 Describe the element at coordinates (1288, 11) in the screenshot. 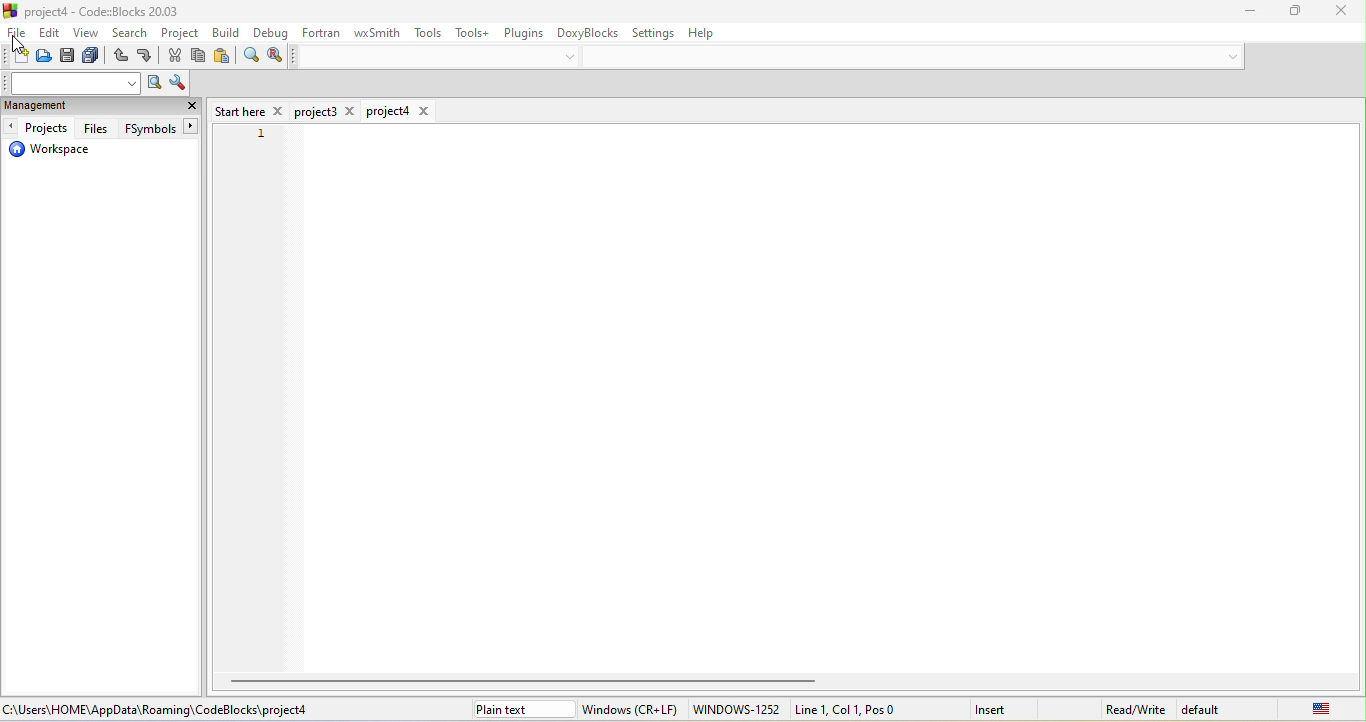

I see `Minimizie/Maximize` at that location.